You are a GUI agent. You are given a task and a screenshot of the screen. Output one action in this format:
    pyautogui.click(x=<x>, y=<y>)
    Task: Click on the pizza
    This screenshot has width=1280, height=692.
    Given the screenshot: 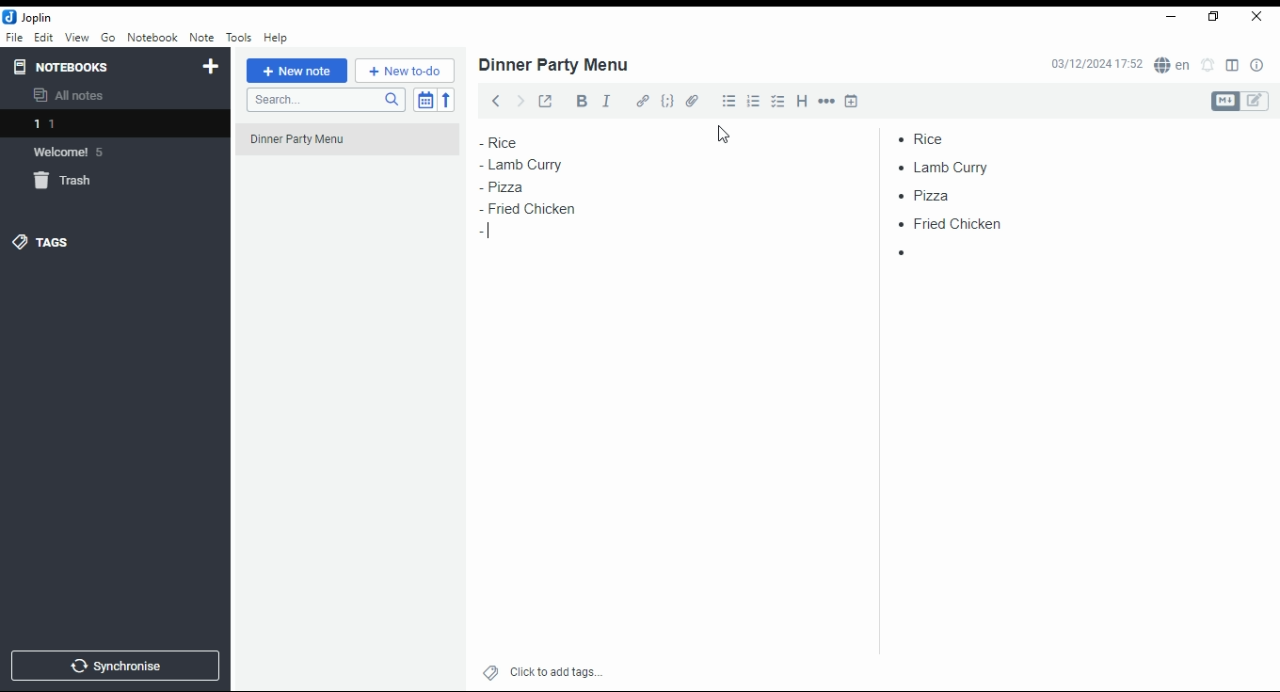 What is the action you would take?
    pyautogui.click(x=928, y=197)
    